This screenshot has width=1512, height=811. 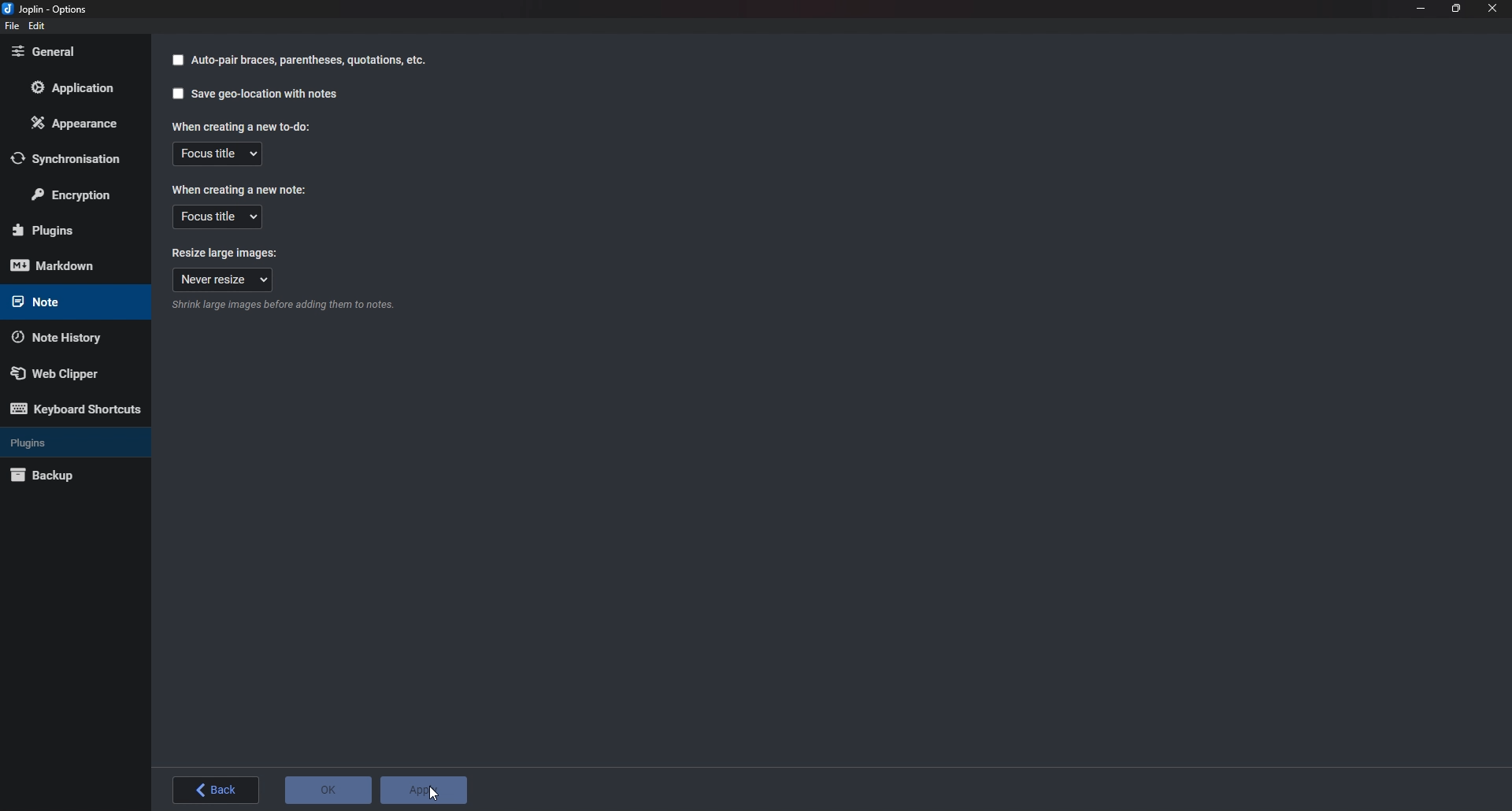 I want to click on cursor, so click(x=435, y=793).